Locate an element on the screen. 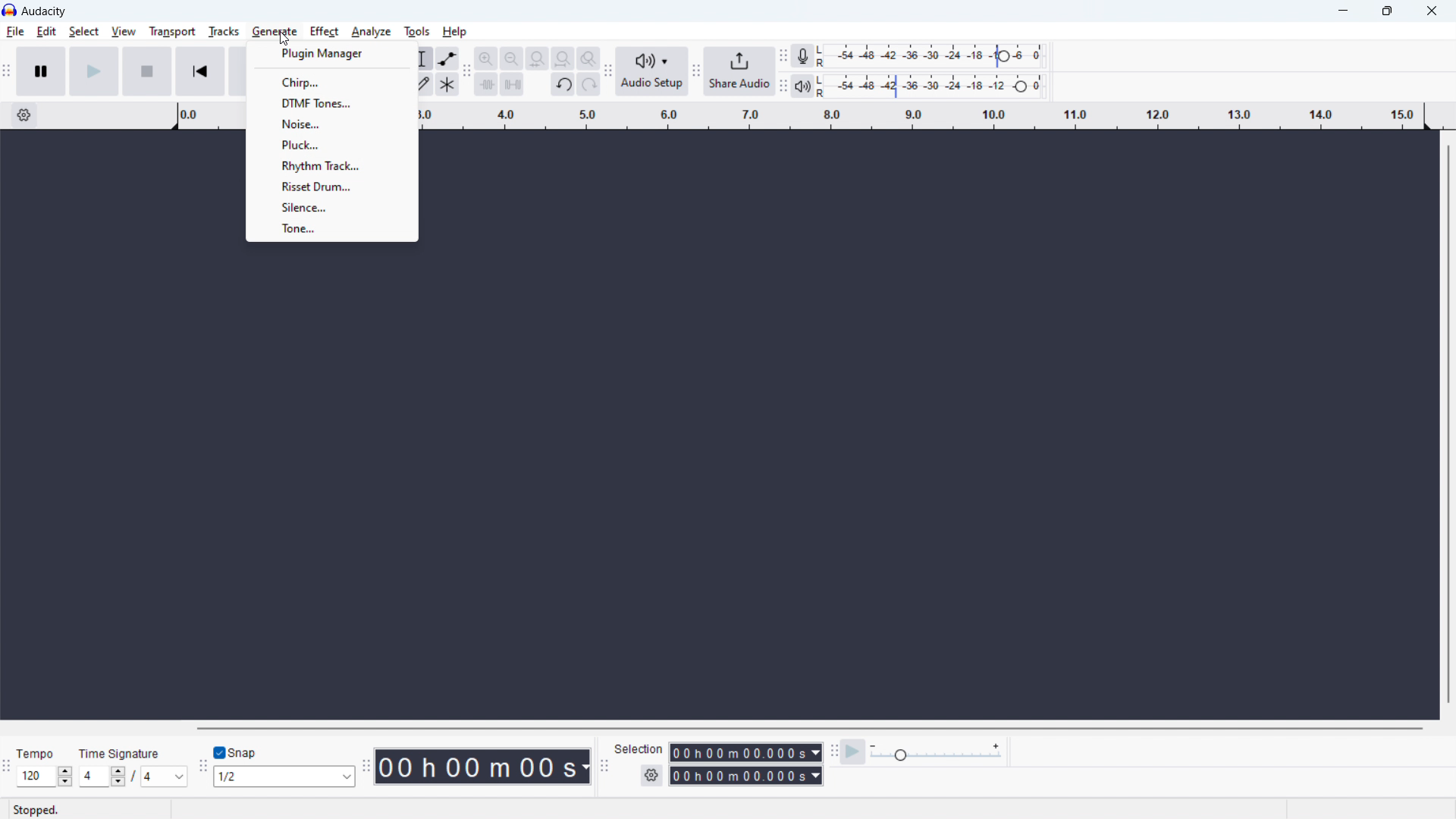  Time signature is located at coordinates (121, 751).